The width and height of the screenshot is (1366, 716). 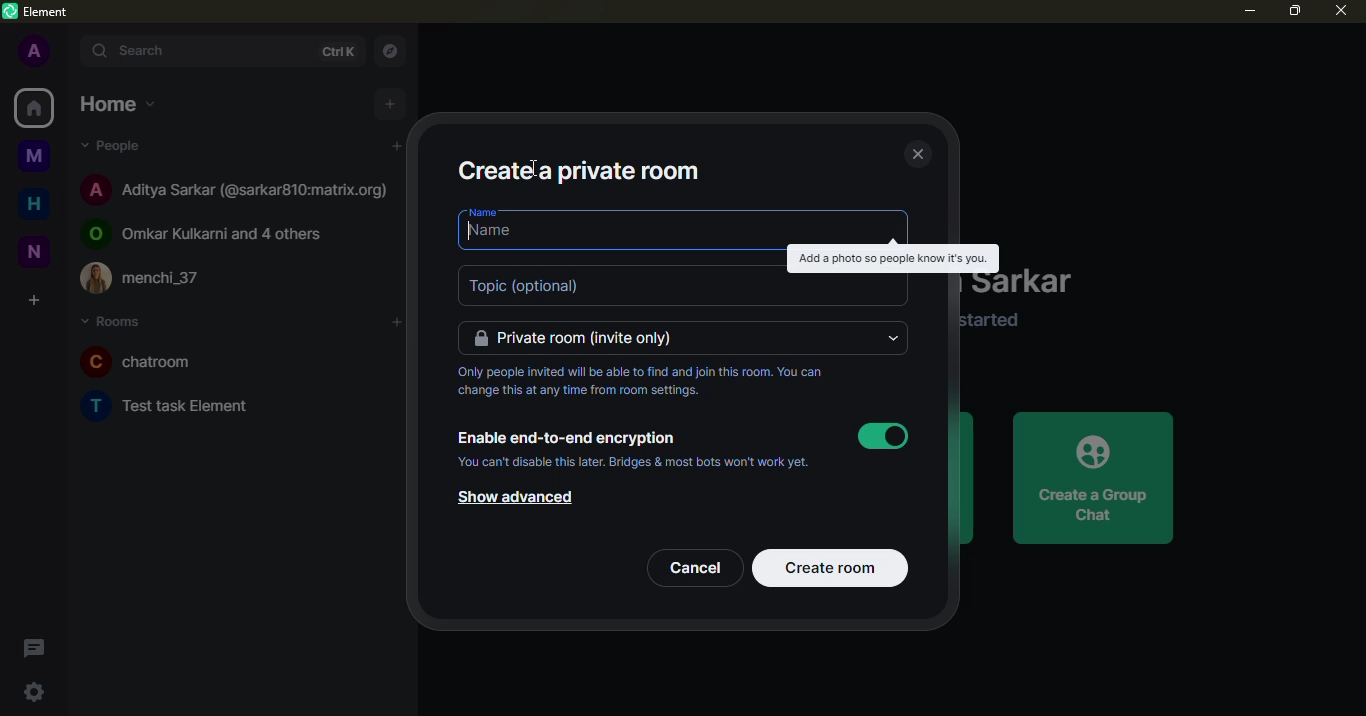 I want to click on show advanced, so click(x=521, y=498).